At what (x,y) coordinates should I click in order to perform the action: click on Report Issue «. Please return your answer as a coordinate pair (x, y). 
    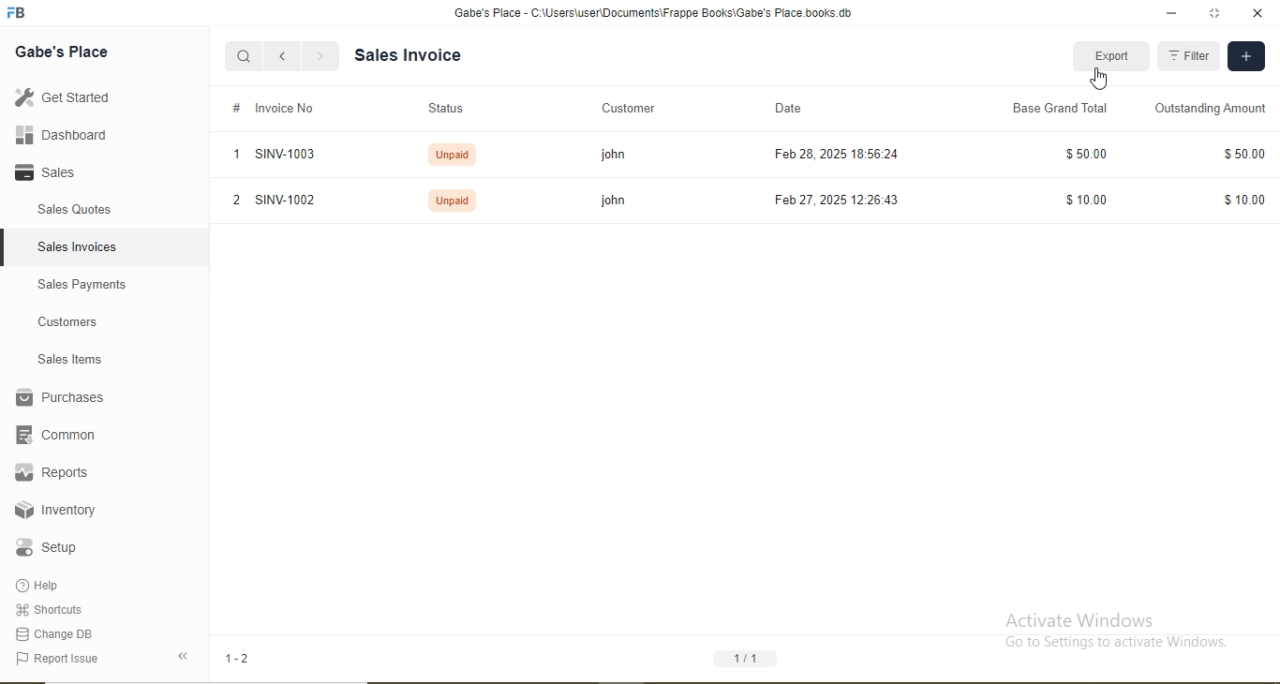
    Looking at the image, I should click on (106, 659).